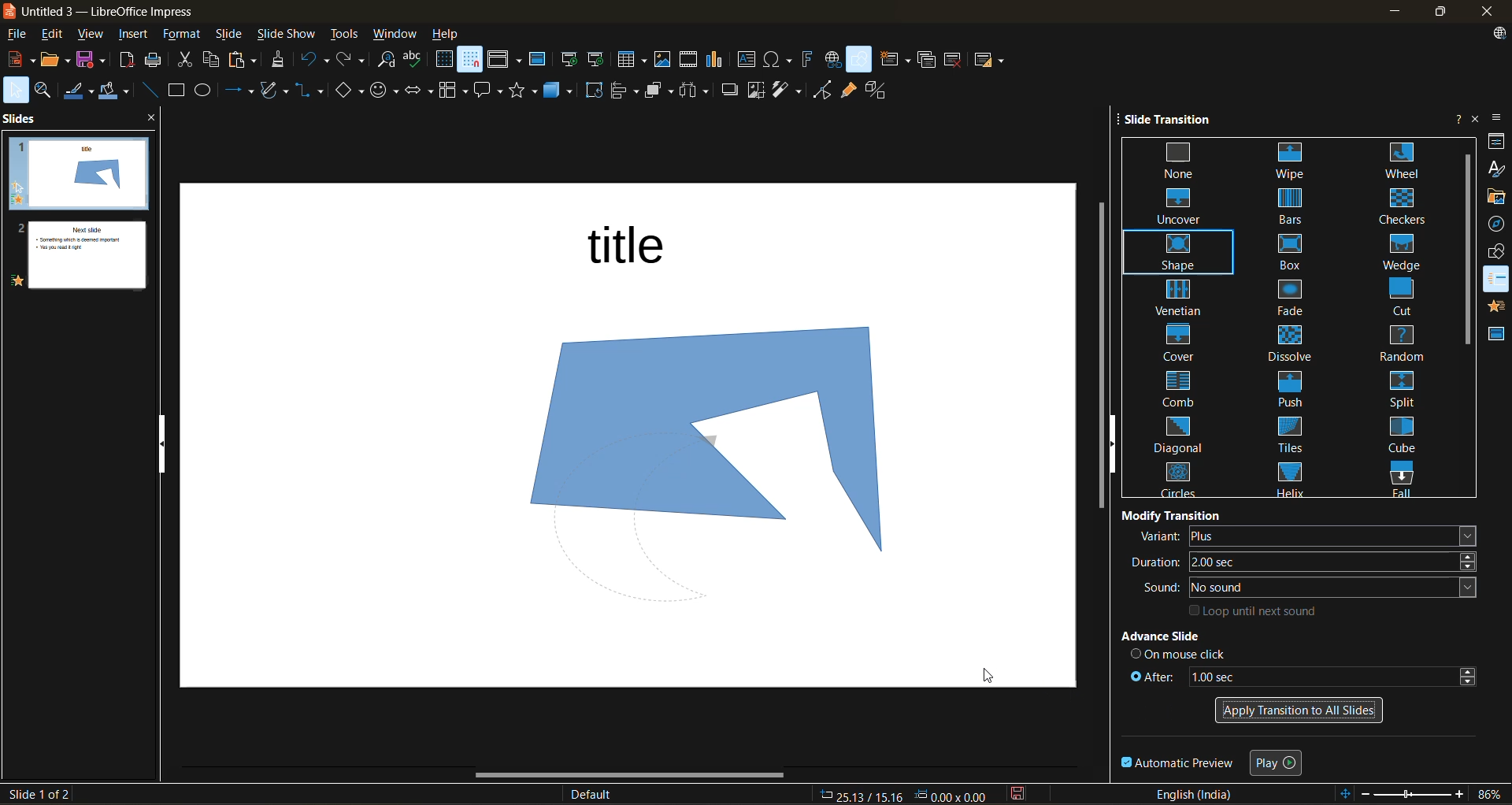 The height and width of the screenshot is (805, 1512). I want to click on horizontal scroll bar, so click(619, 777).